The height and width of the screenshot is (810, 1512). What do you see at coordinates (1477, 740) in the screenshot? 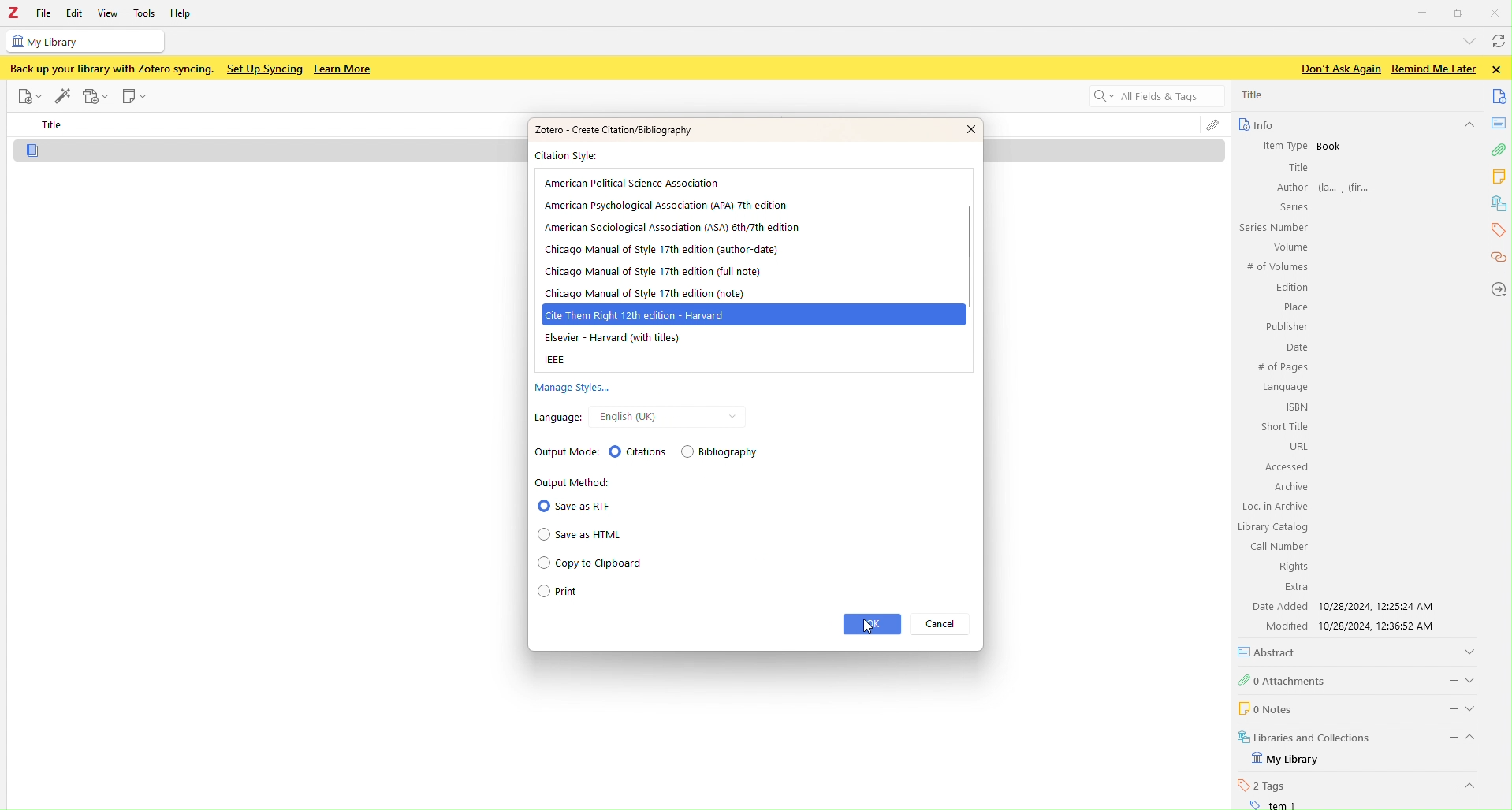
I see `hide` at bounding box center [1477, 740].